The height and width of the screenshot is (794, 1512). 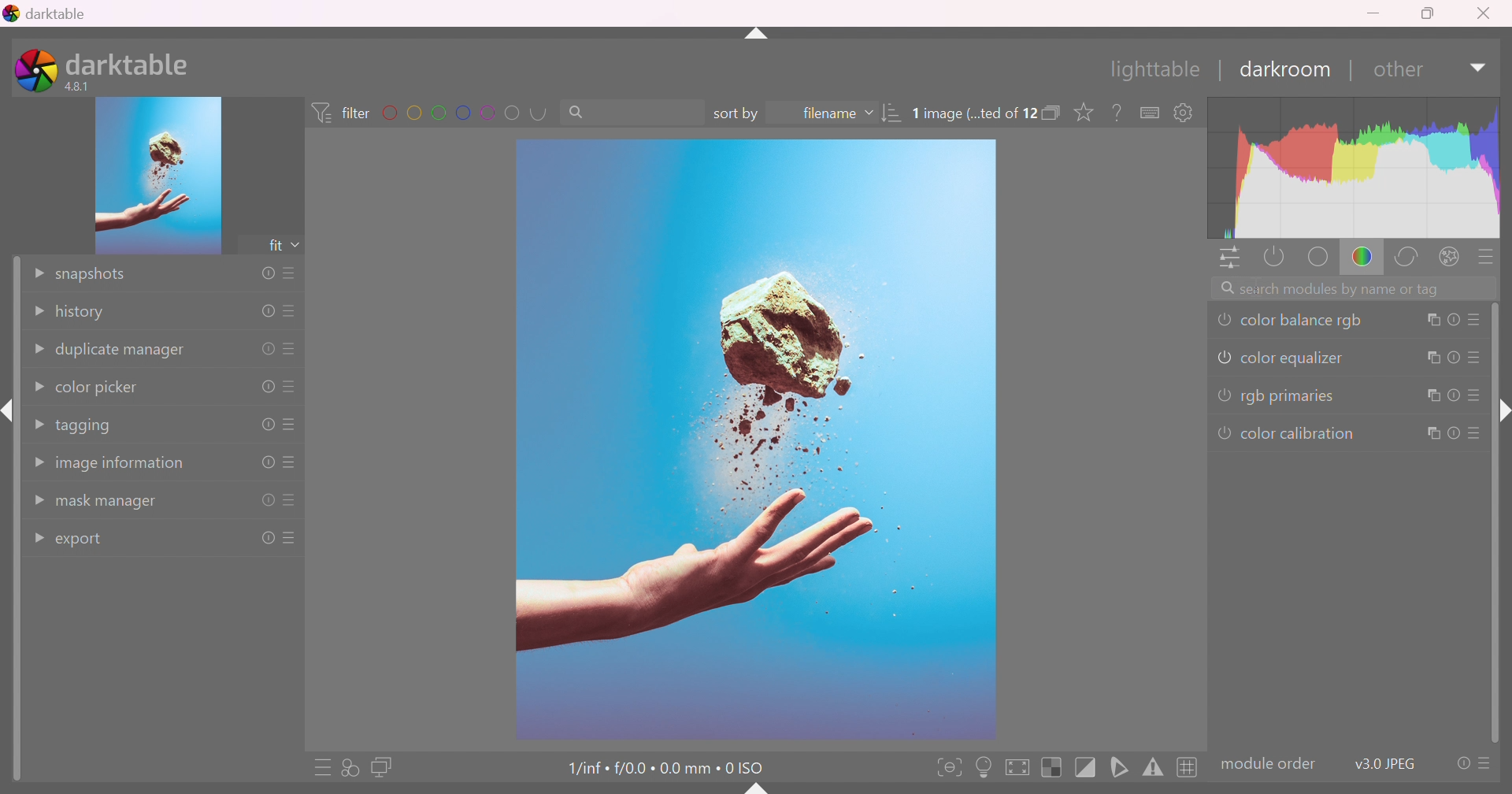 What do you see at coordinates (268, 387) in the screenshot?
I see `reset` at bounding box center [268, 387].